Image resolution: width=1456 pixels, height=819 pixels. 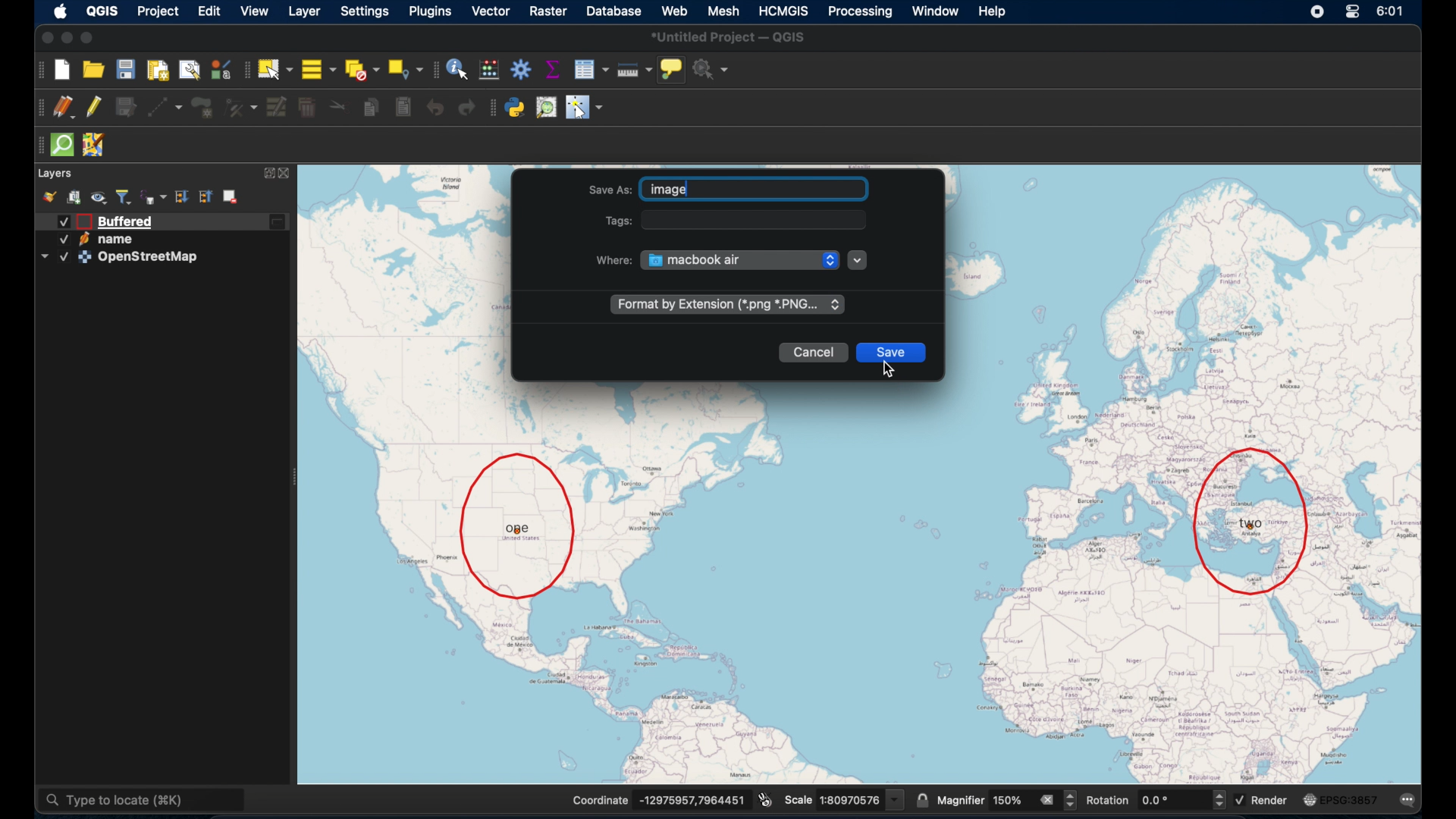 What do you see at coordinates (152, 259) in the screenshot?
I see `OpenStreetMap` at bounding box center [152, 259].